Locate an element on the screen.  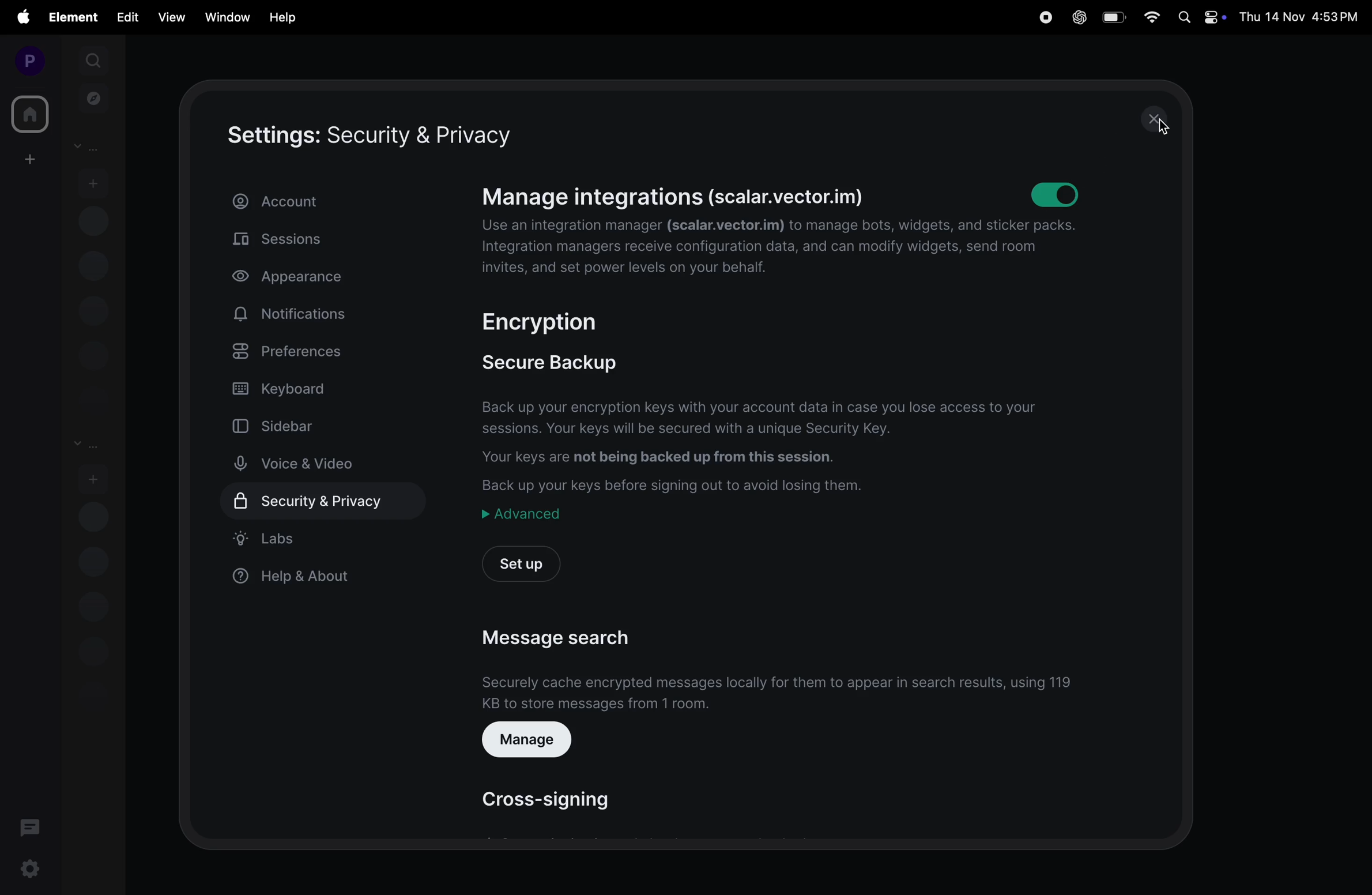
sidebar is located at coordinates (277, 427).